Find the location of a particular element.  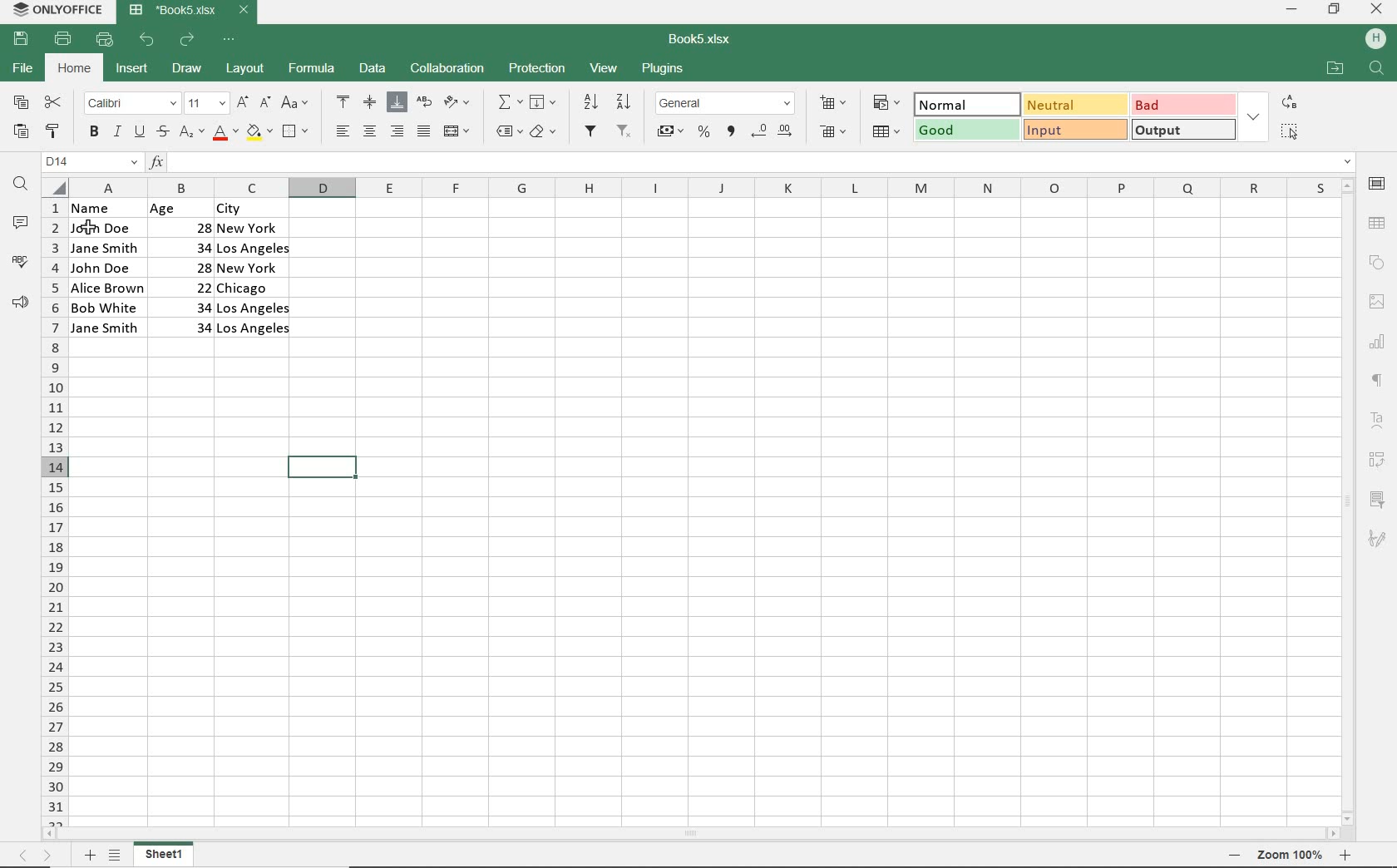

COLLABORATION is located at coordinates (446, 69).